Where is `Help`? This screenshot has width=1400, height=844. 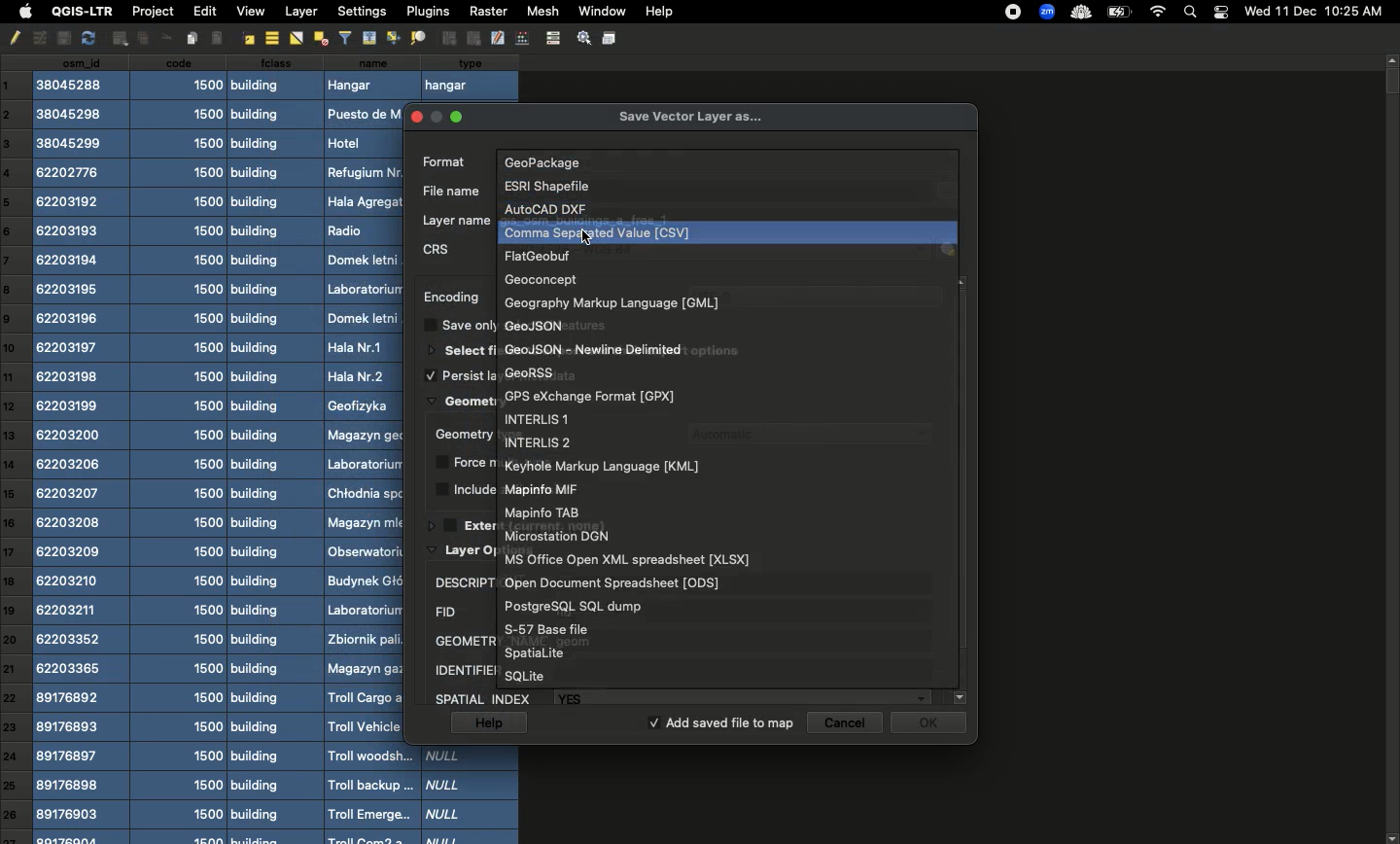
Help is located at coordinates (658, 13).